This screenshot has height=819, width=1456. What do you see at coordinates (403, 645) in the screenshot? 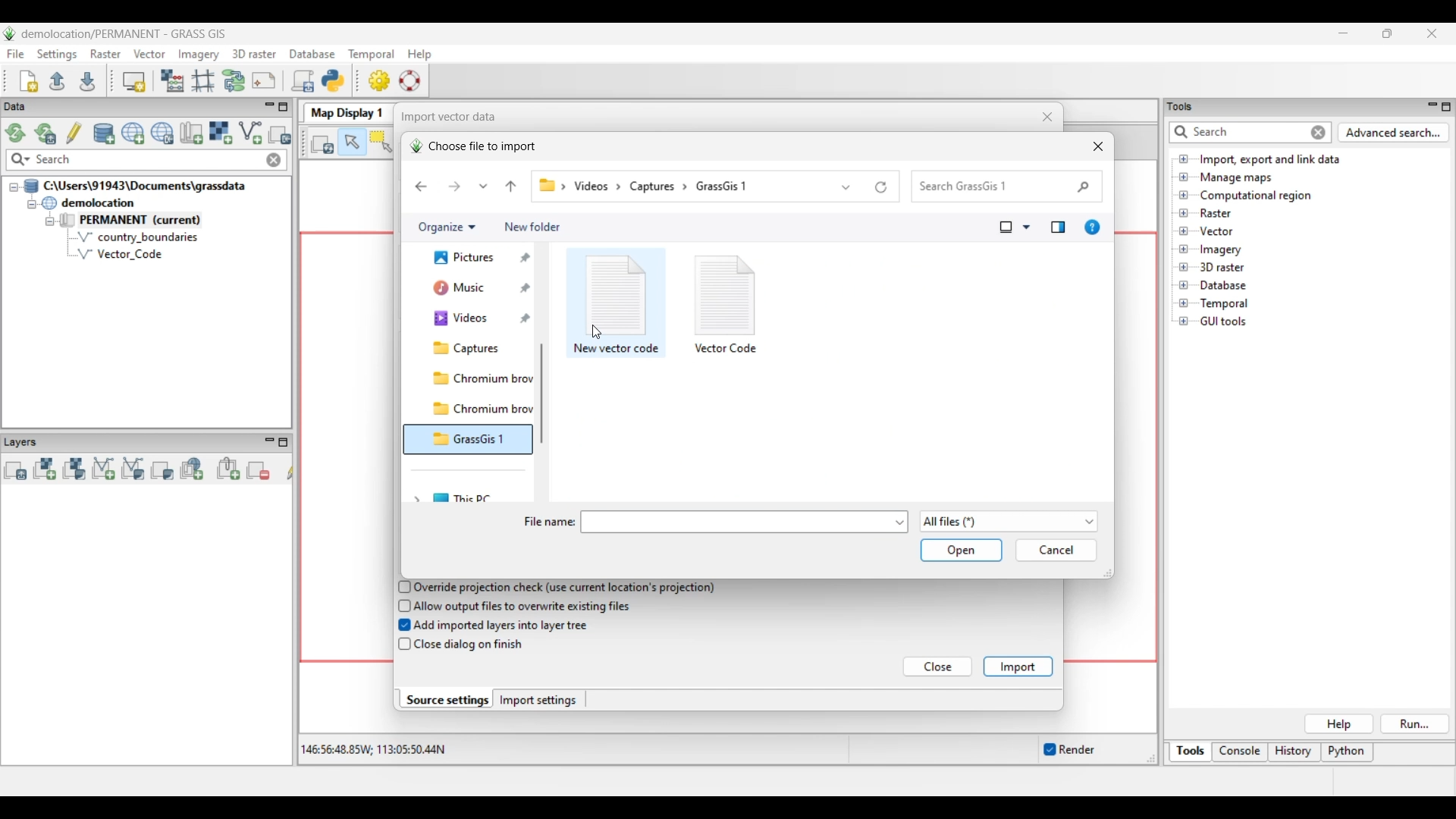
I see `checkbox` at bounding box center [403, 645].